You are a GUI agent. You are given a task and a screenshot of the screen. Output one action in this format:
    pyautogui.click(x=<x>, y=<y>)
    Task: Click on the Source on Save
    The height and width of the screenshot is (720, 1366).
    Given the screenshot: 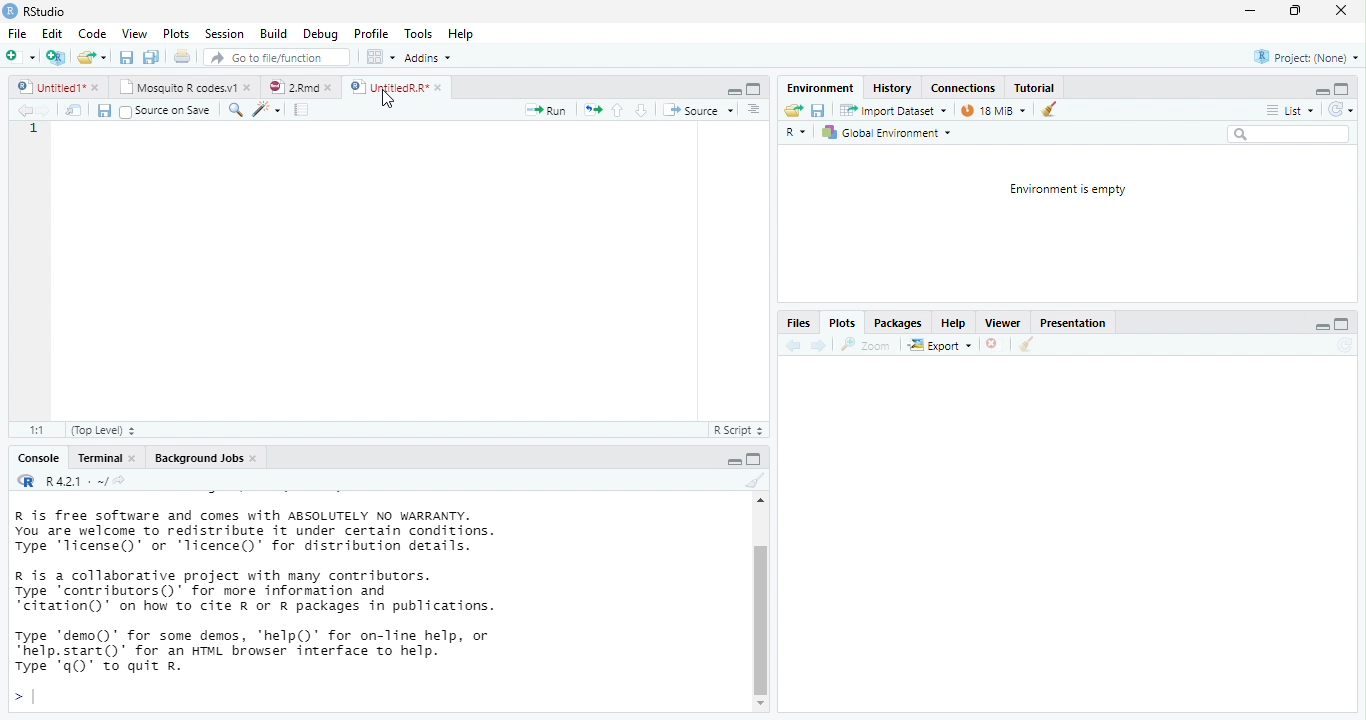 What is the action you would take?
    pyautogui.click(x=164, y=111)
    